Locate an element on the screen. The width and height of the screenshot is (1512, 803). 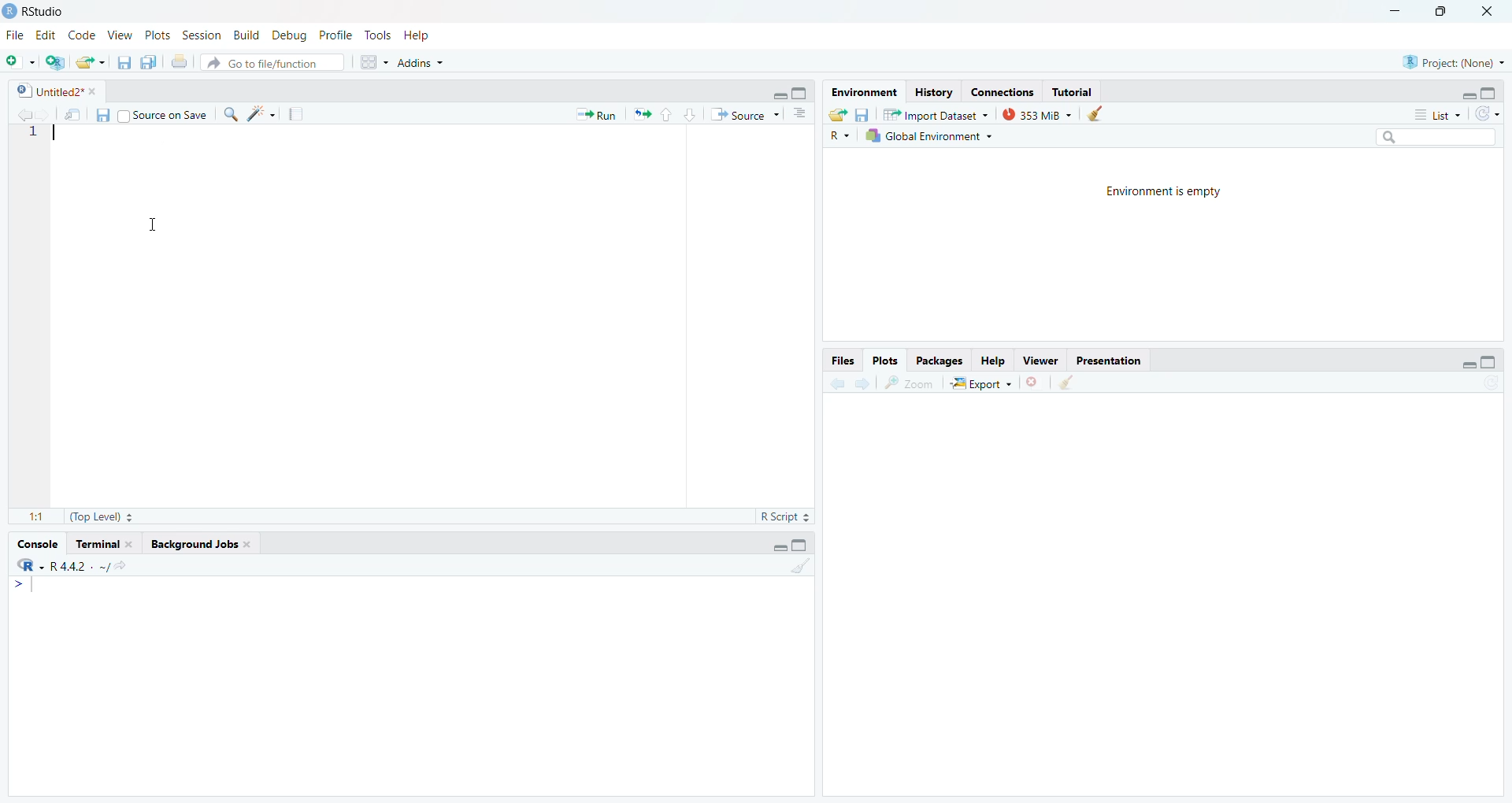
hide r script is located at coordinates (773, 548).